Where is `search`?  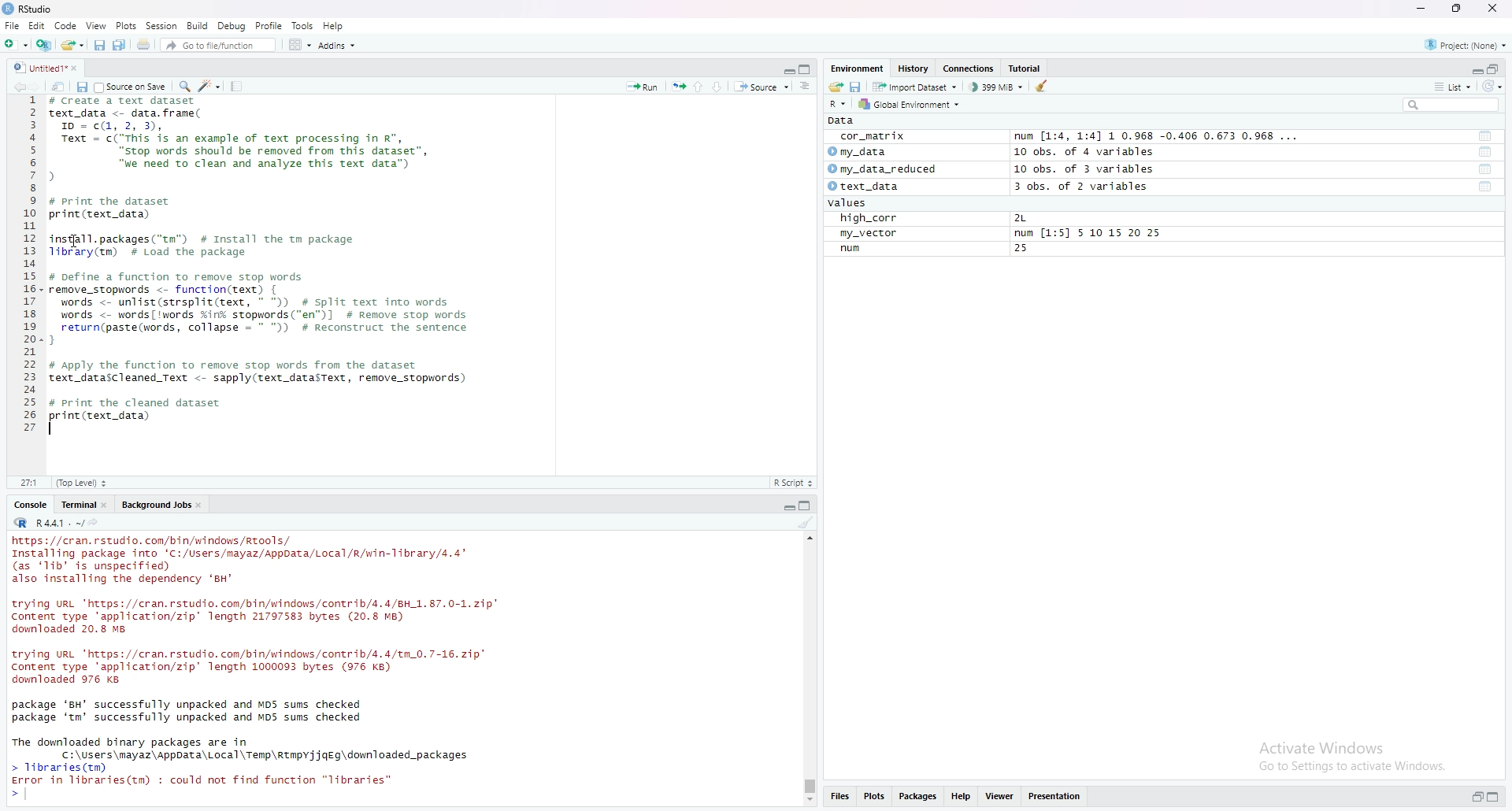 search is located at coordinates (1453, 105).